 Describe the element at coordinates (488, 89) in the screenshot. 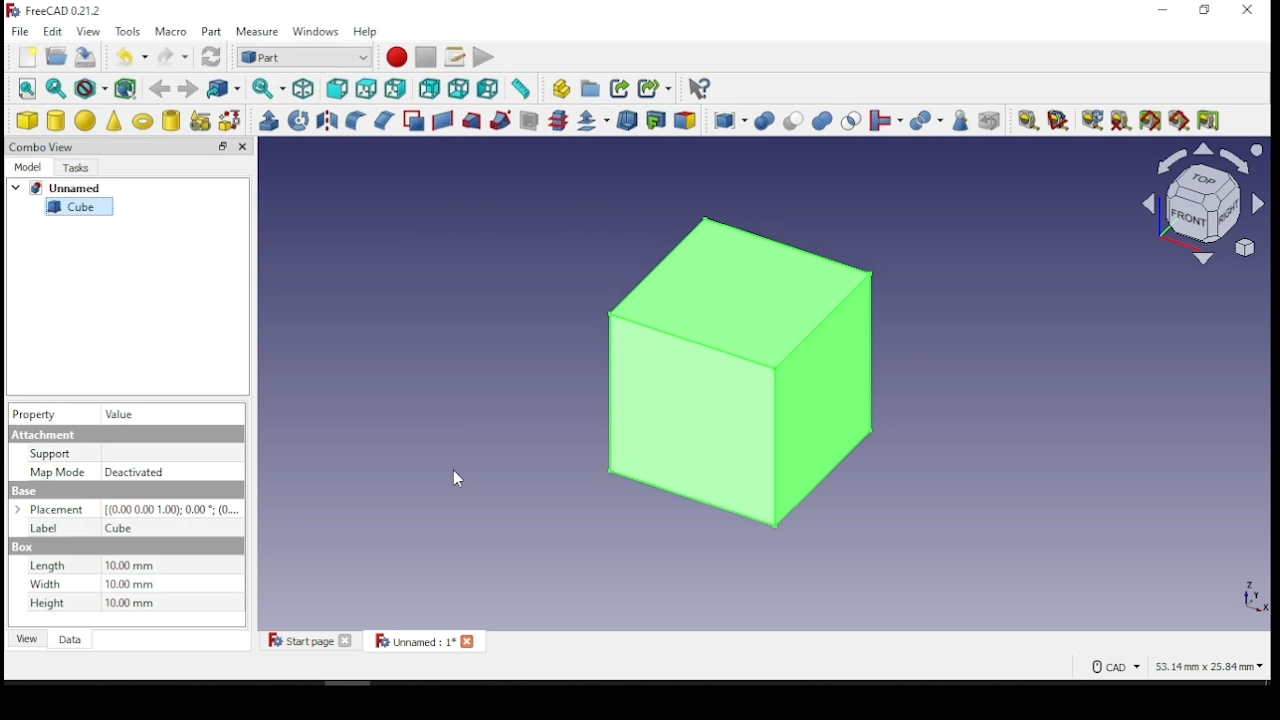

I see `left` at that location.